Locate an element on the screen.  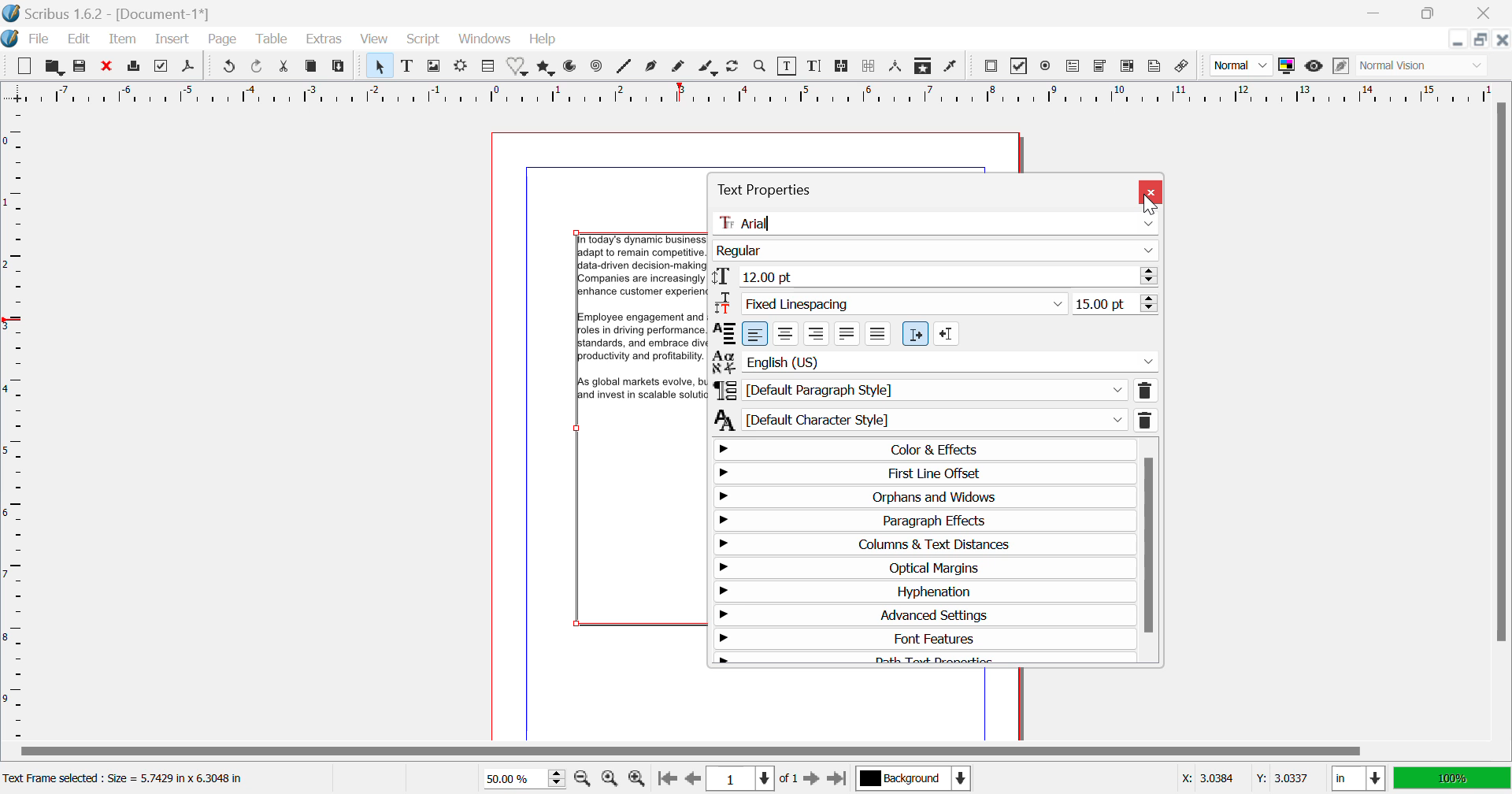
Edit is located at coordinates (79, 41).